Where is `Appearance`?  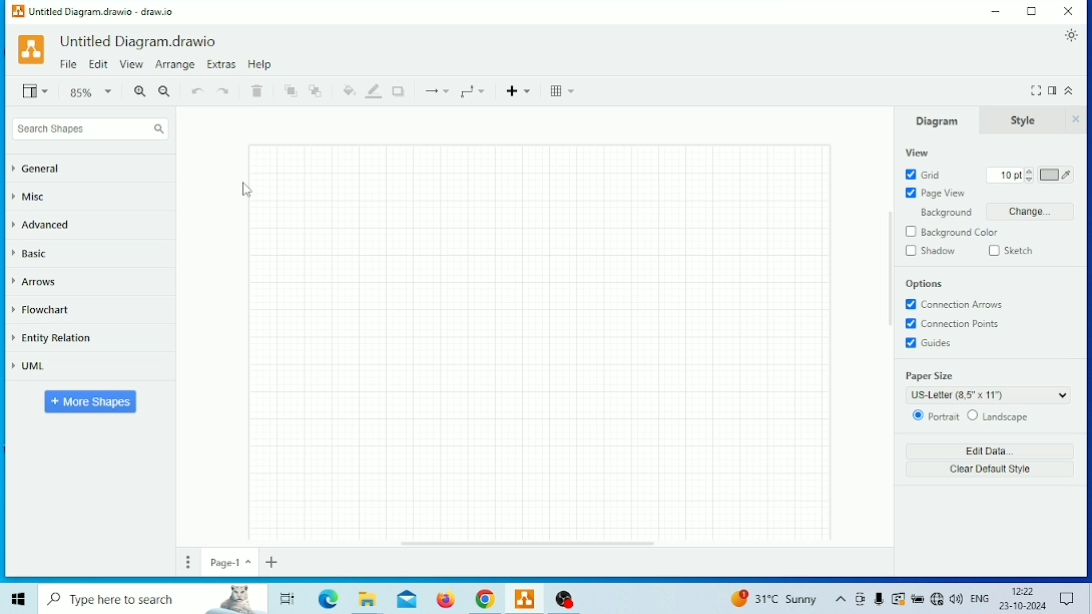
Appearance is located at coordinates (1072, 36).